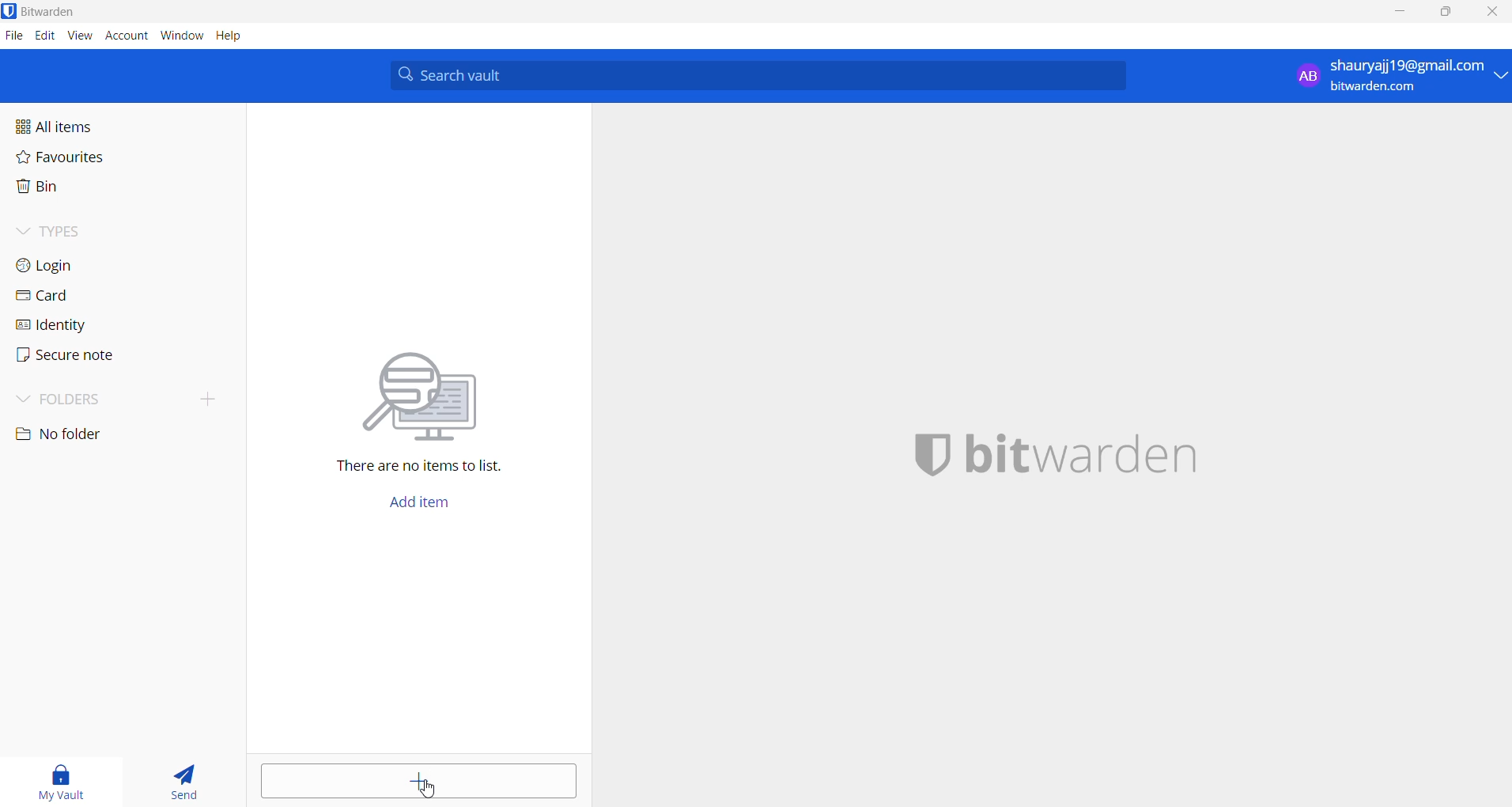  What do you see at coordinates (54, 12) in the screenshot?
I see `Bitwarden` at bounding box center [54, 12].